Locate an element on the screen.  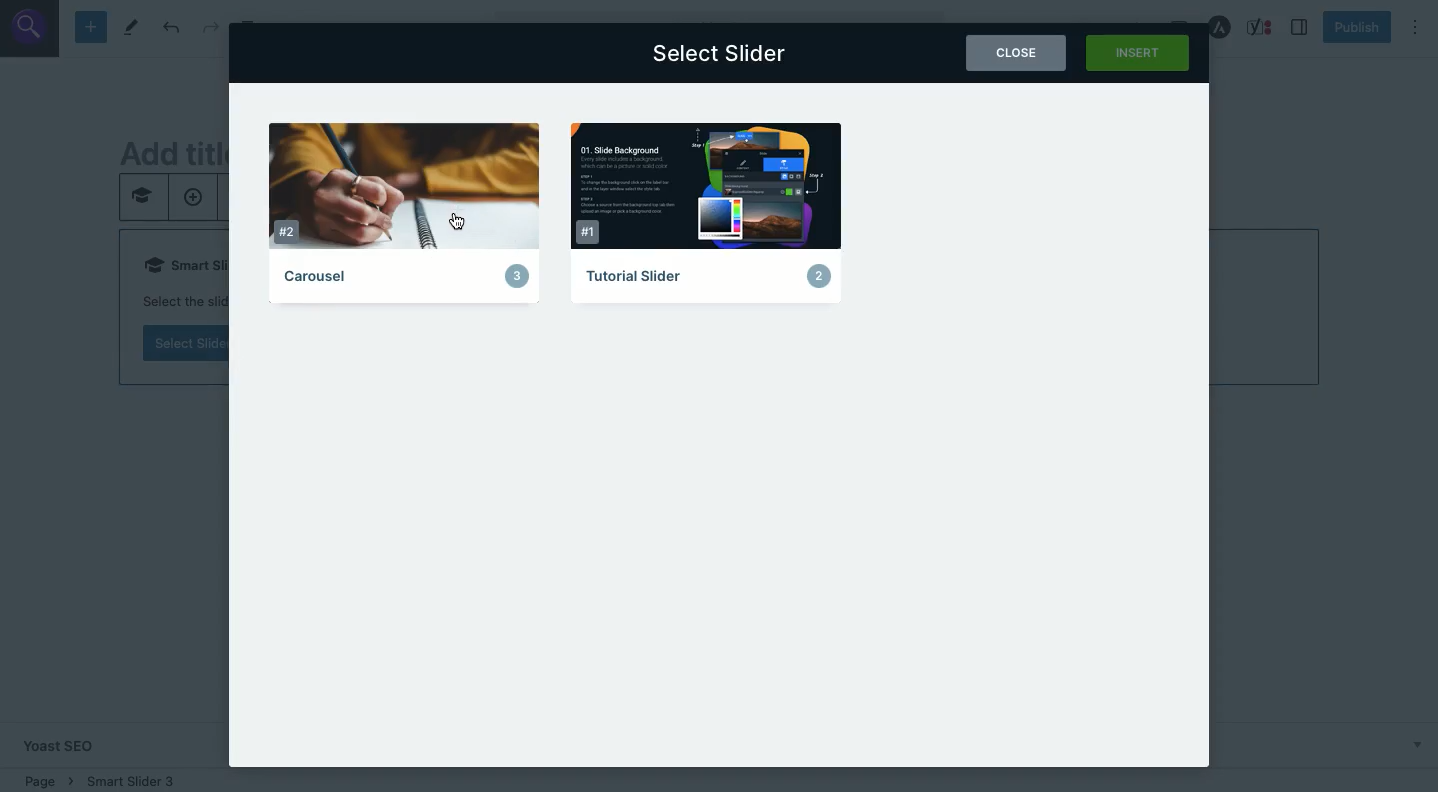
Publish is located at coordinates (1357, 29).